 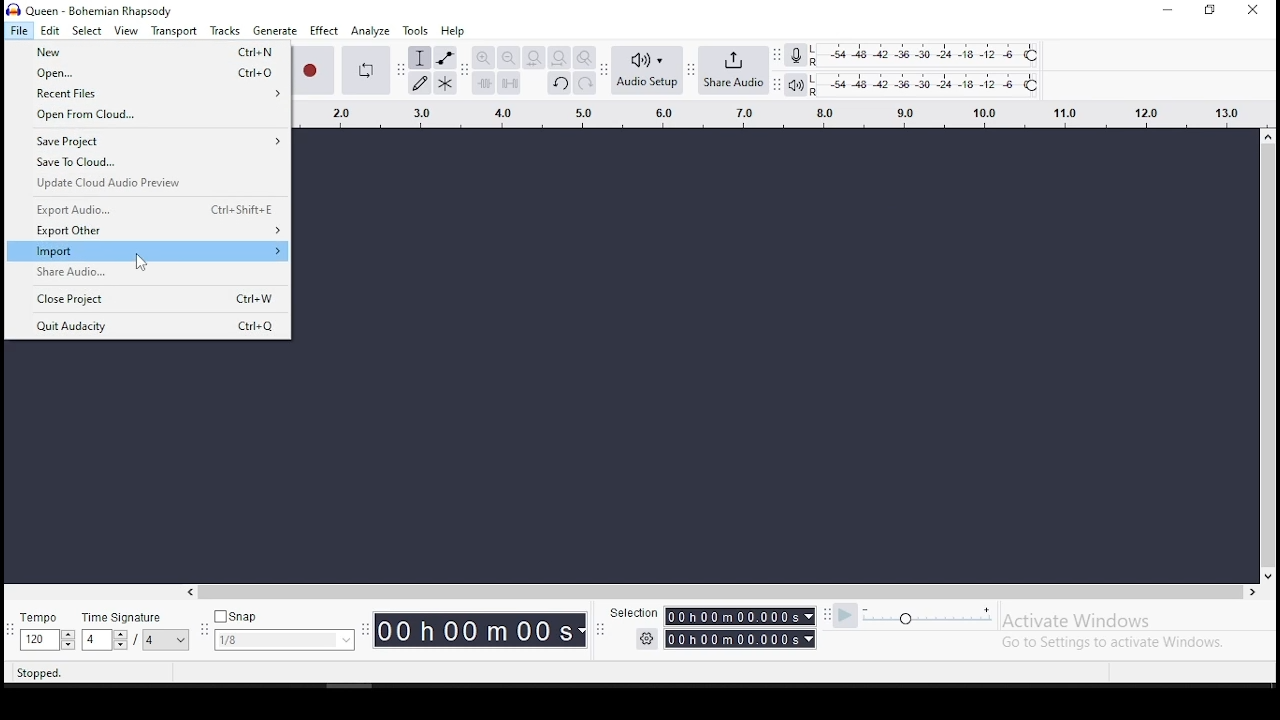 I want to click on recording level, so click(x=940, y=54).